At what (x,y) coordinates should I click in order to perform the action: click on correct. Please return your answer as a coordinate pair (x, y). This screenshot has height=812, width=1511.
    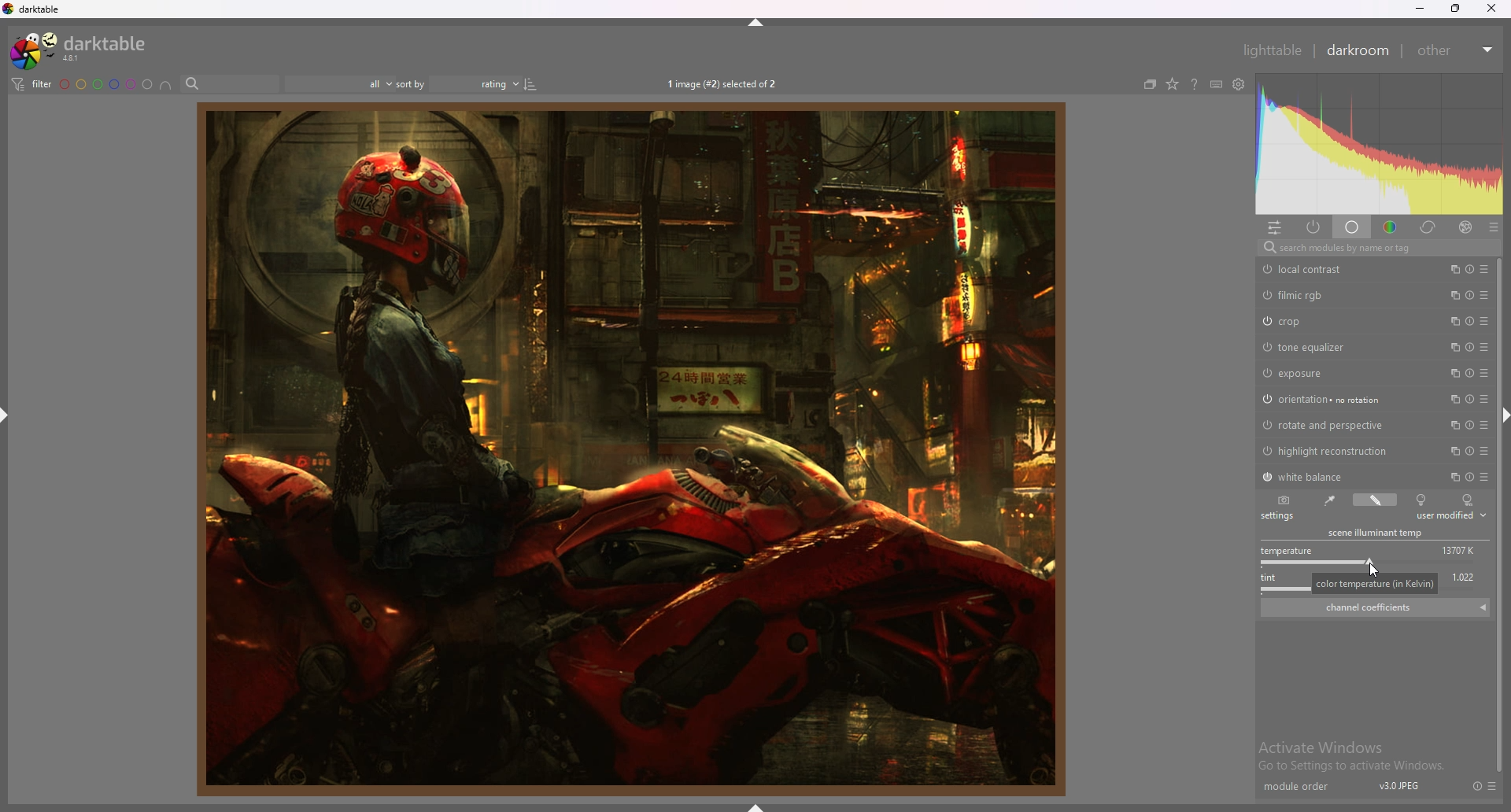
    Looking at the image, I should click on (1428, 229).